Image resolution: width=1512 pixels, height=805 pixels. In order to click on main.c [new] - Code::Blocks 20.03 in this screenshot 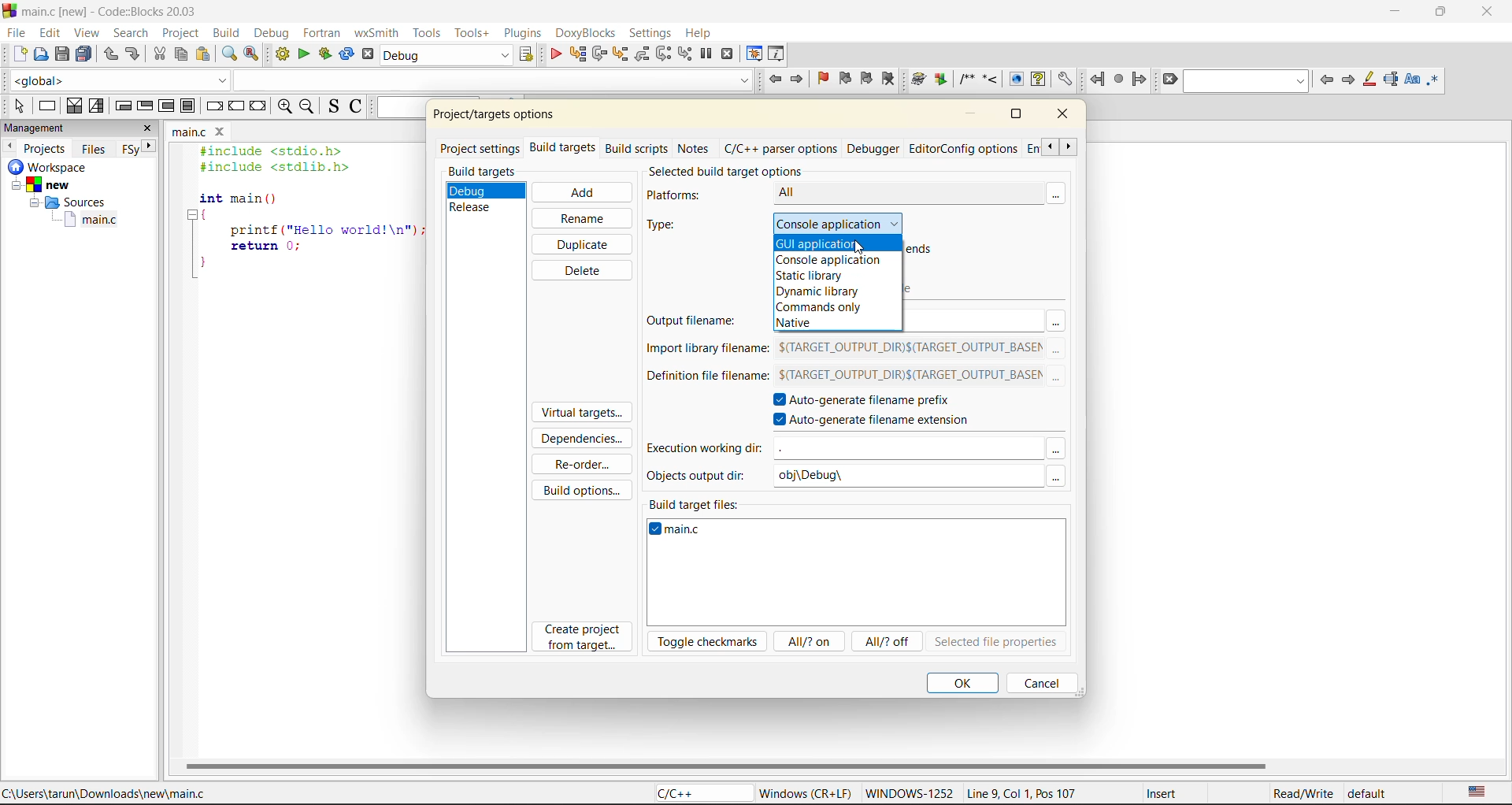, I will do `click(113, 10)`.